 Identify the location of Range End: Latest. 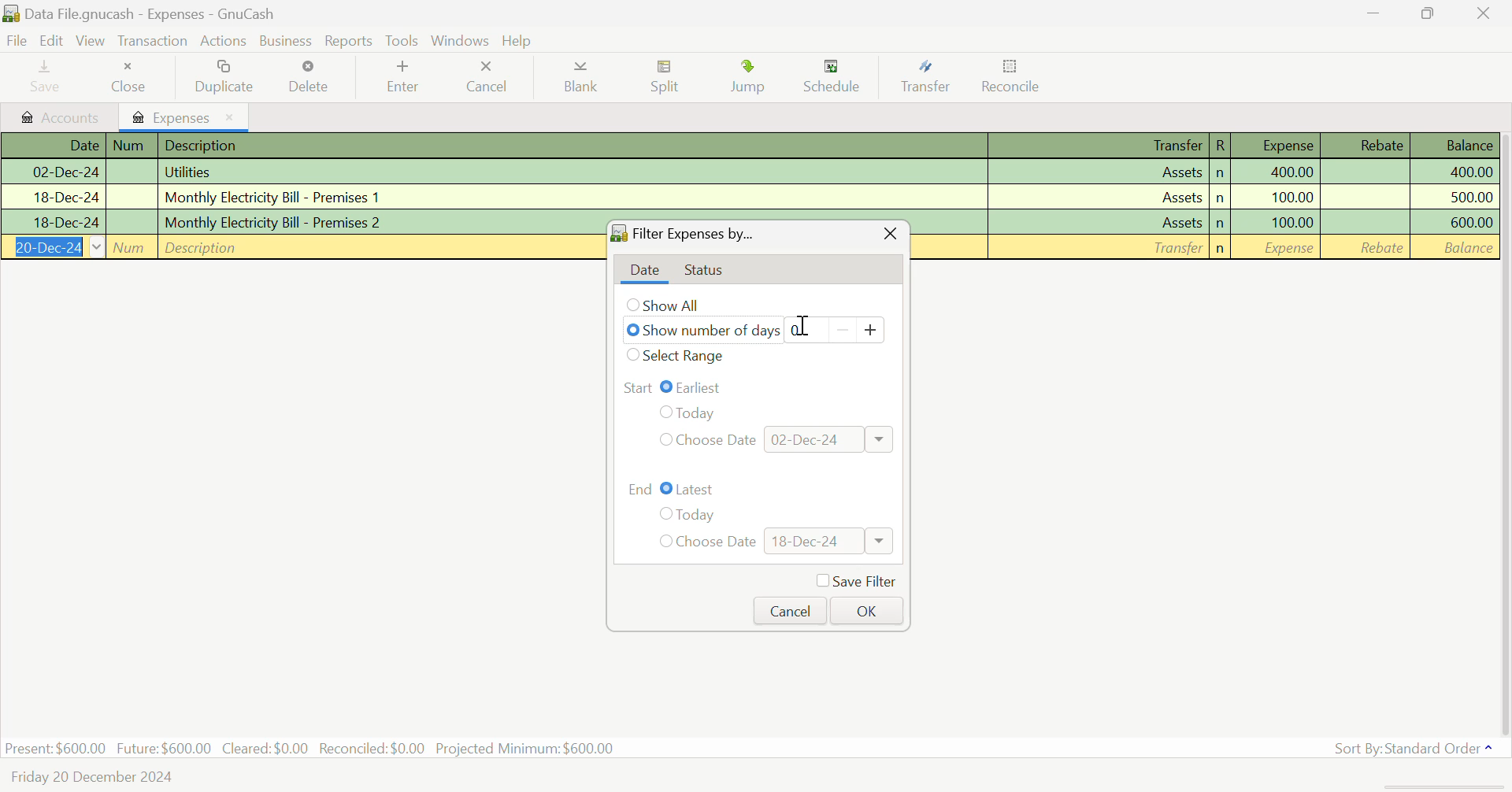
(762, 489).